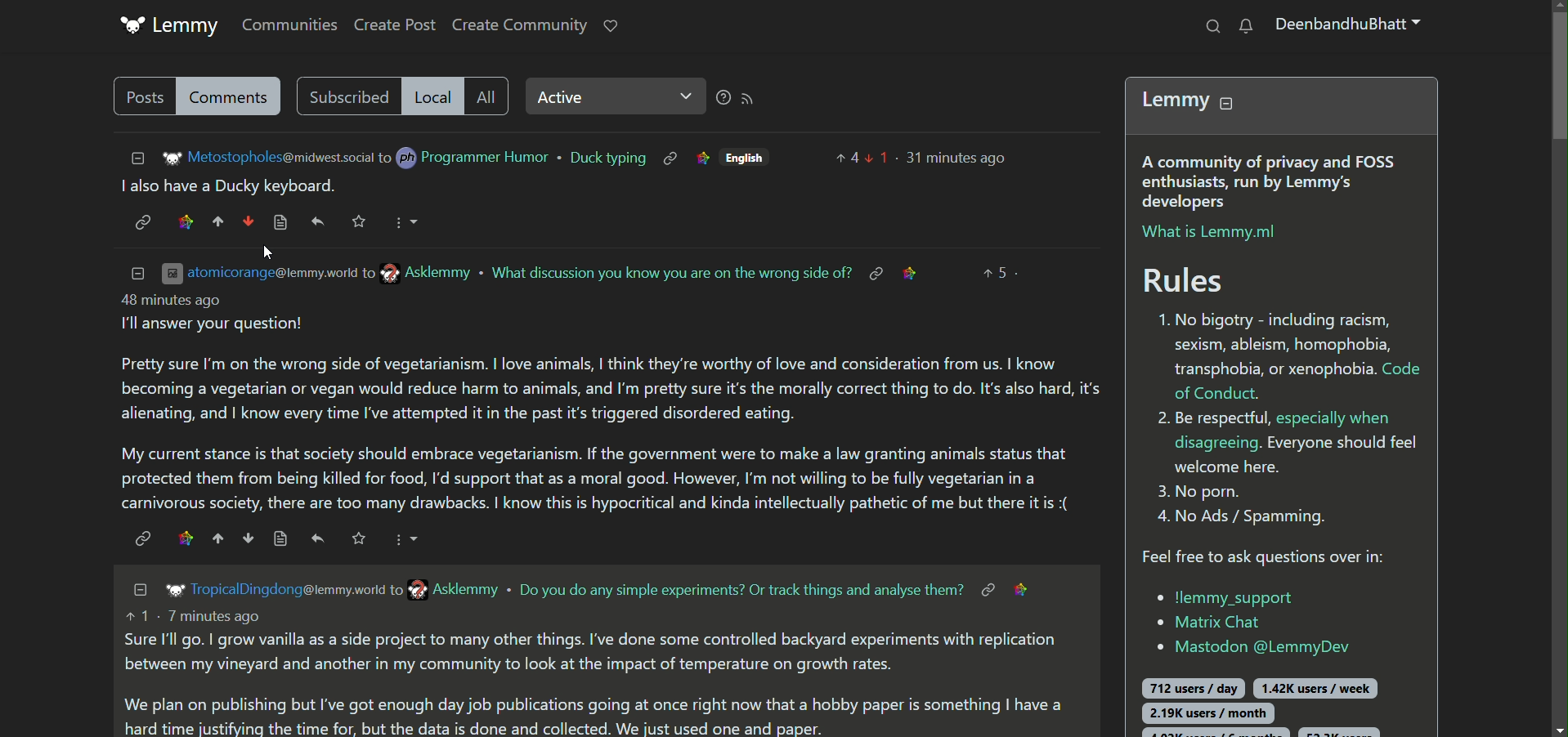 Image resolution: width=1568 pixels, height=737 pixels. Describe the element at coordinates (170, 26) in the screenshot. I see `lemmy logo` at that location.